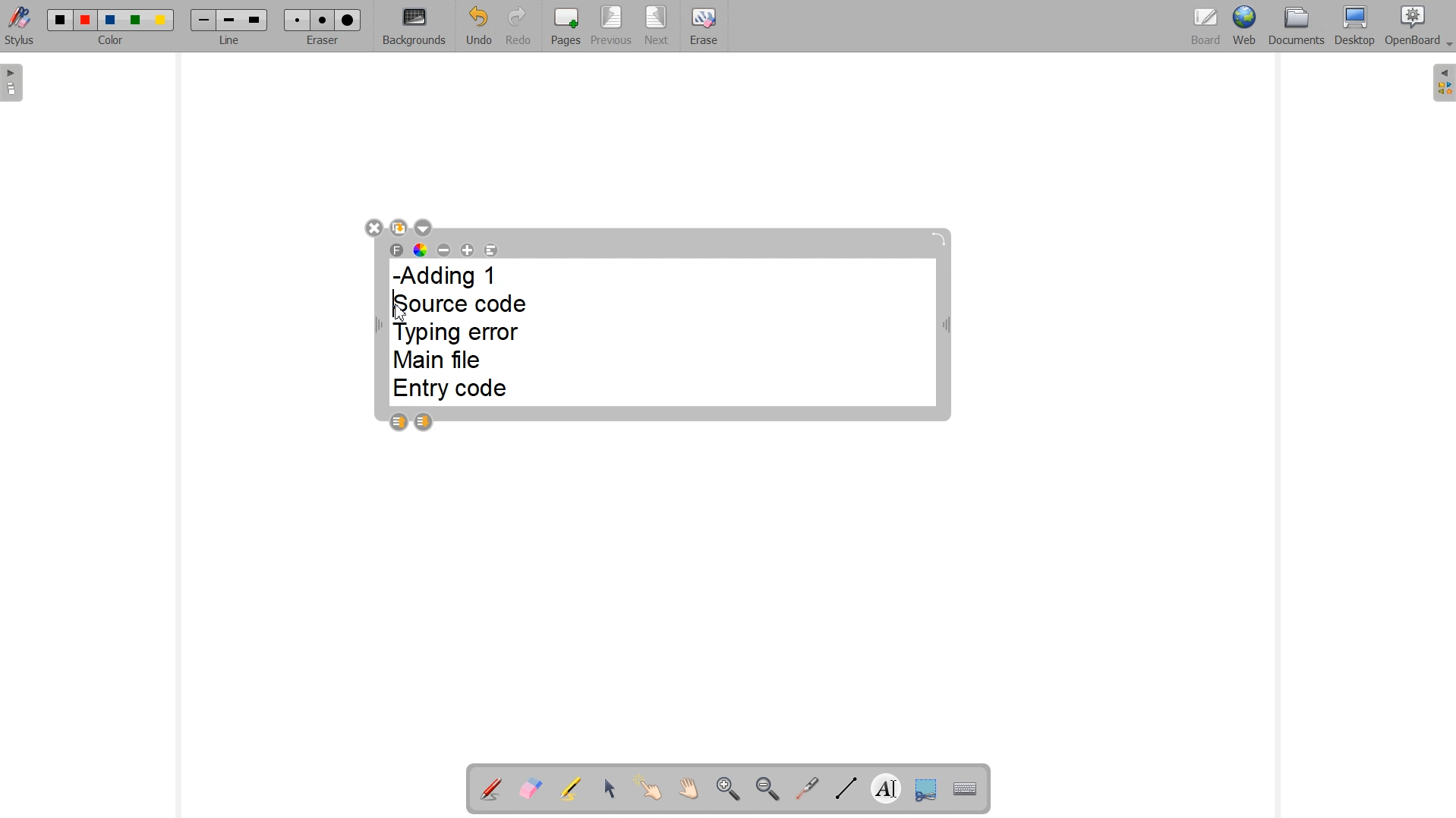 Image resolution: width=1456 pixels, height=818 pixels. What do you see at coordinates (938, 240) in the screenshot?
I see `Rotate block` at bounding box center [938, 240].